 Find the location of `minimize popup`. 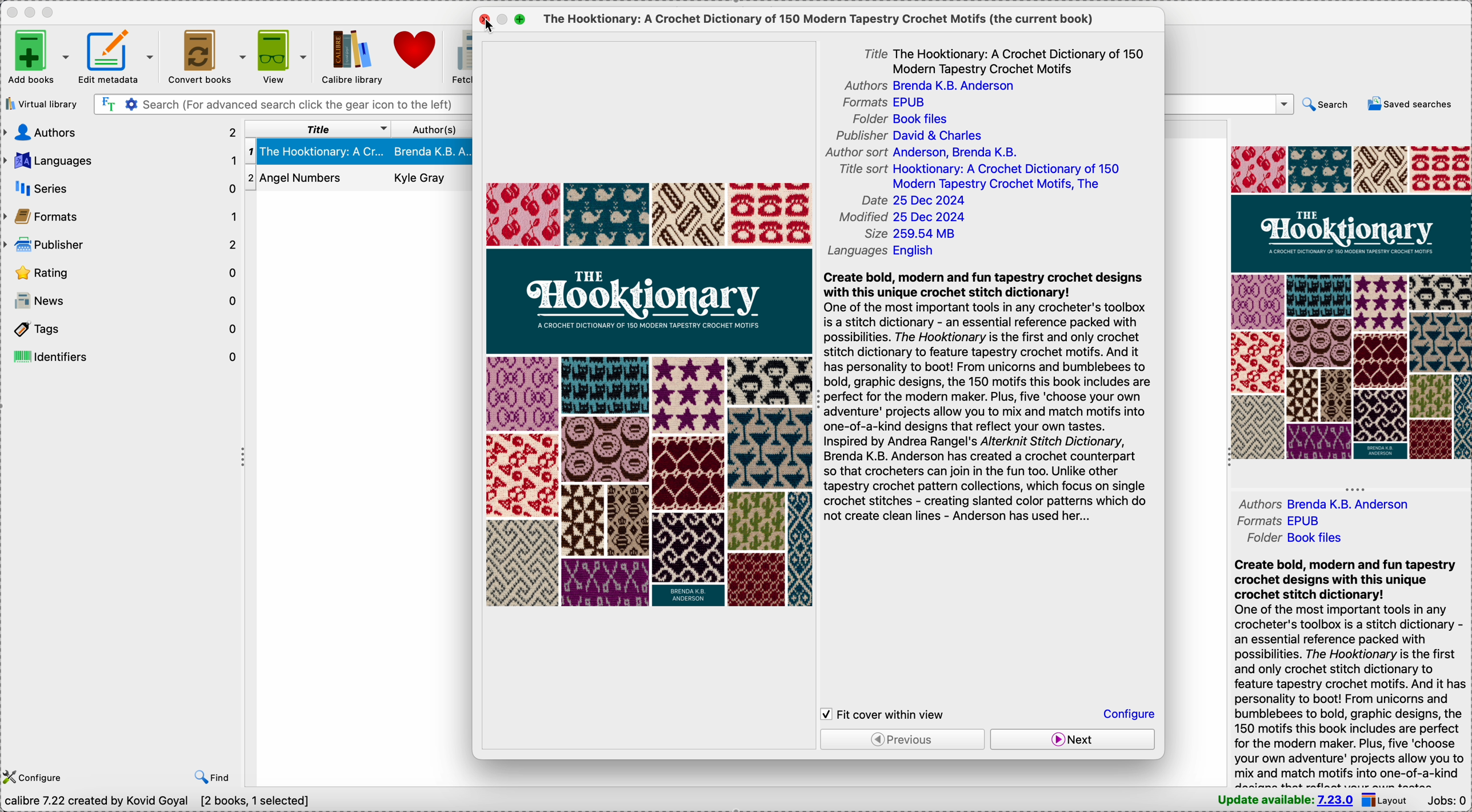

minimize popup is located at coordinates (503, 20).